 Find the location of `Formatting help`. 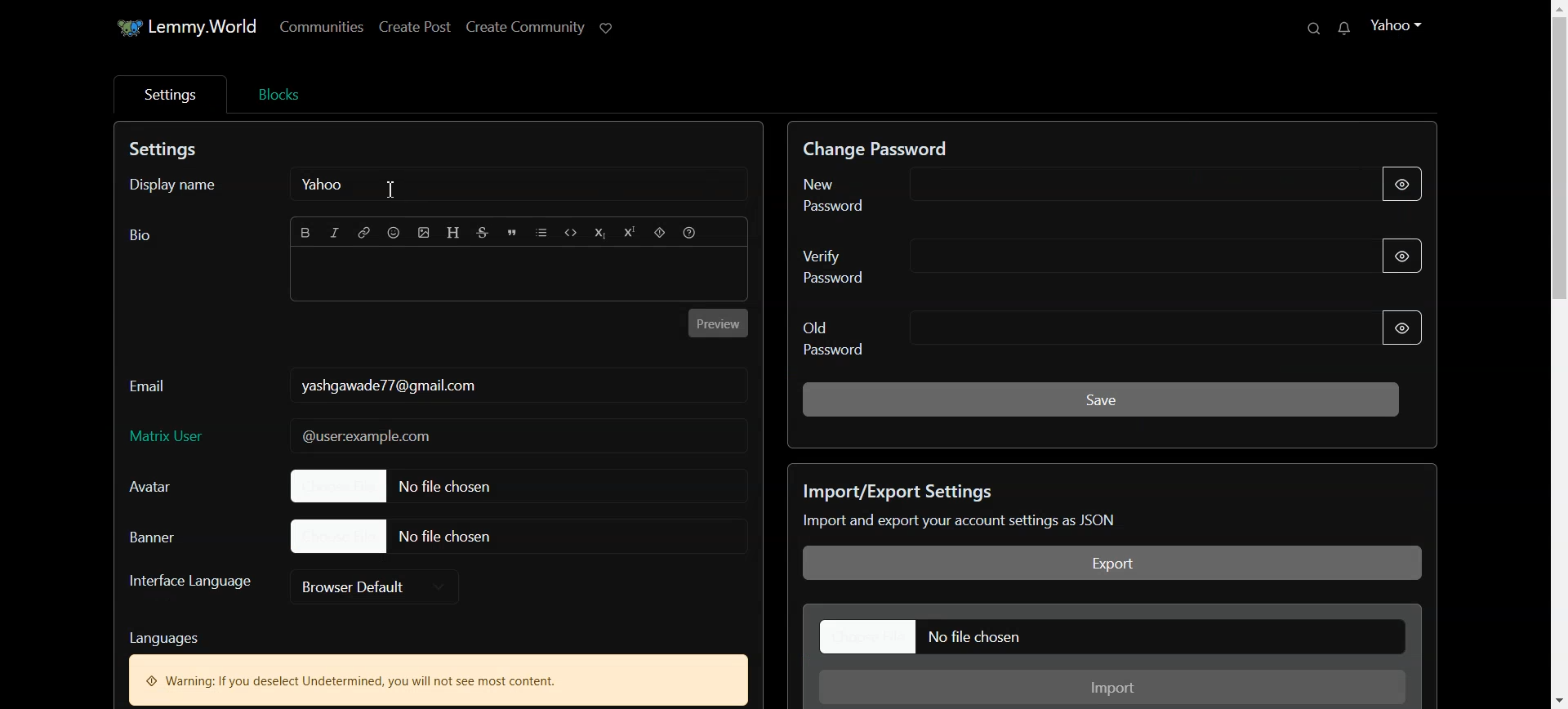

Formatting help is located at coordinates (690, 234).